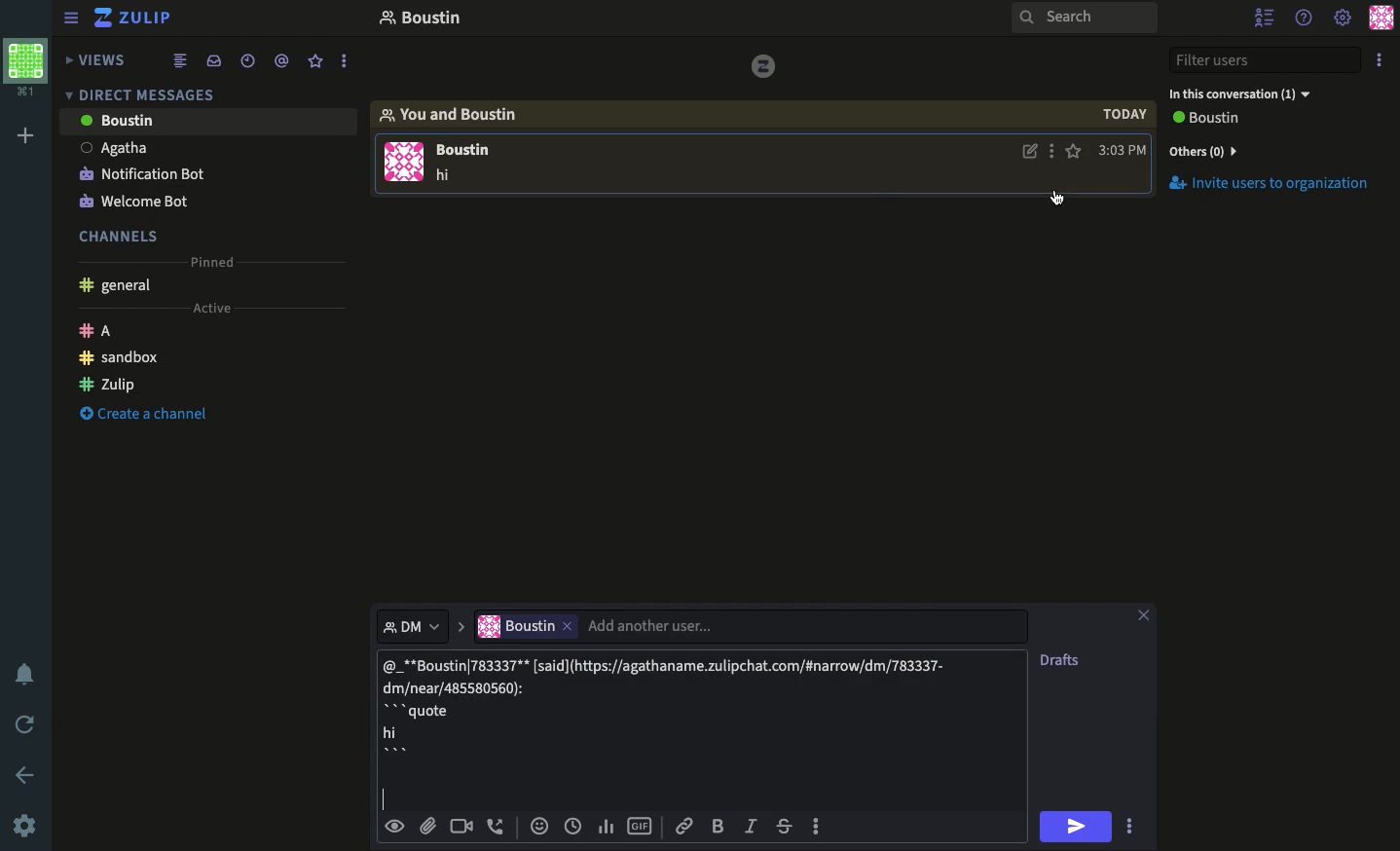 This screenshot has height=851, width=1400. I want to click on Channels, so click(122, 234).